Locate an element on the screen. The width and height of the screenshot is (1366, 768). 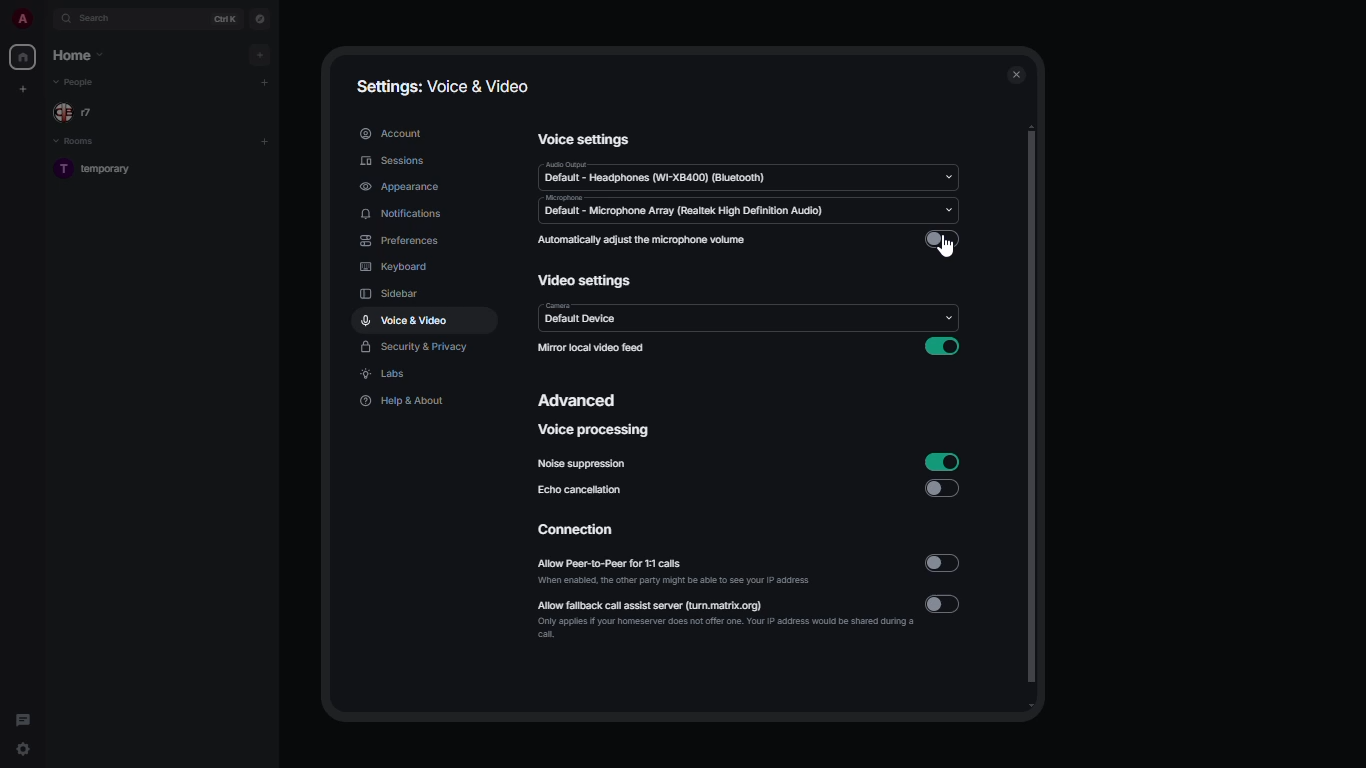
voice settings is located at coordinates (586, 139).